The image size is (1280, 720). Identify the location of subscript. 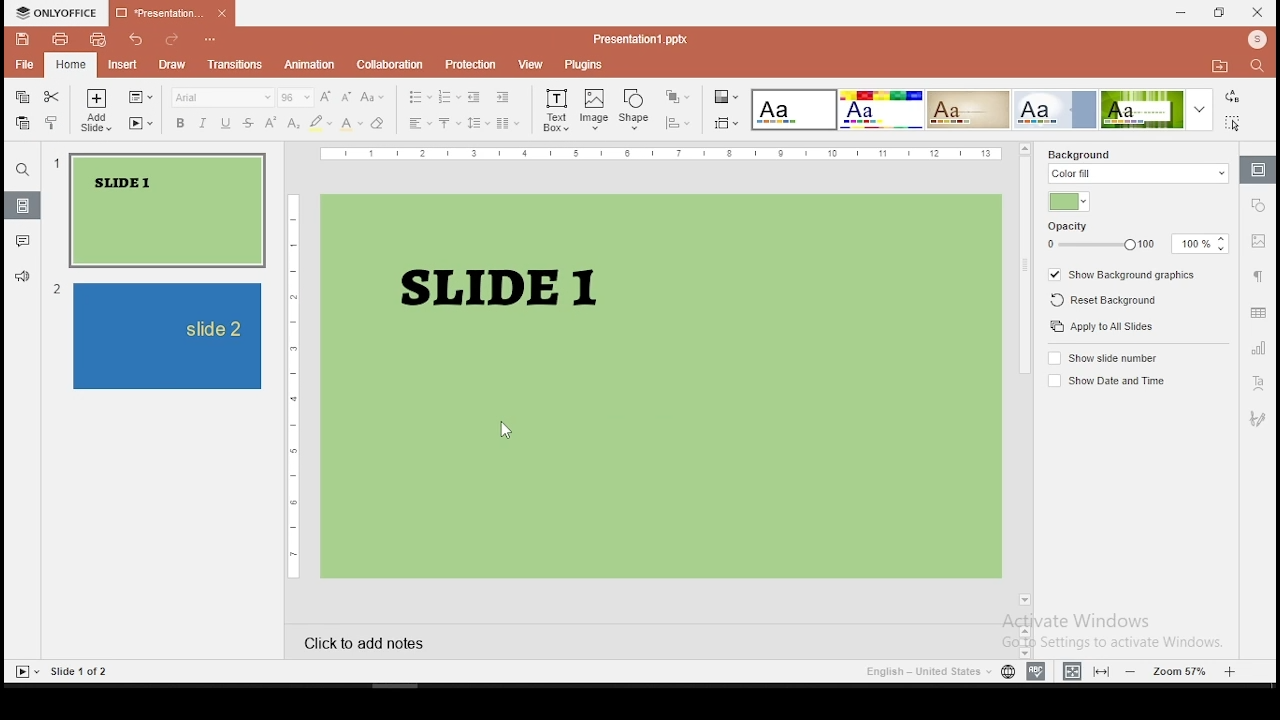
(294, 123).